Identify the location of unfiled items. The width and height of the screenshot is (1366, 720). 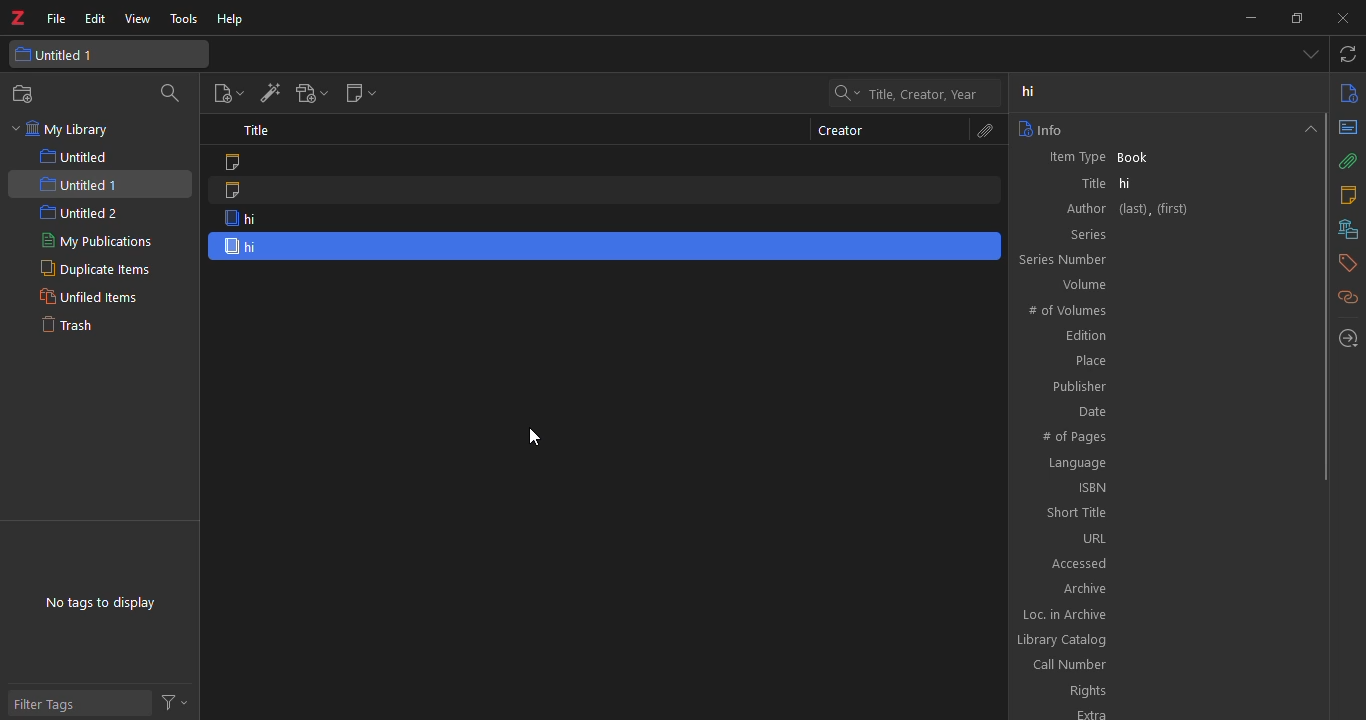
(87, 298).